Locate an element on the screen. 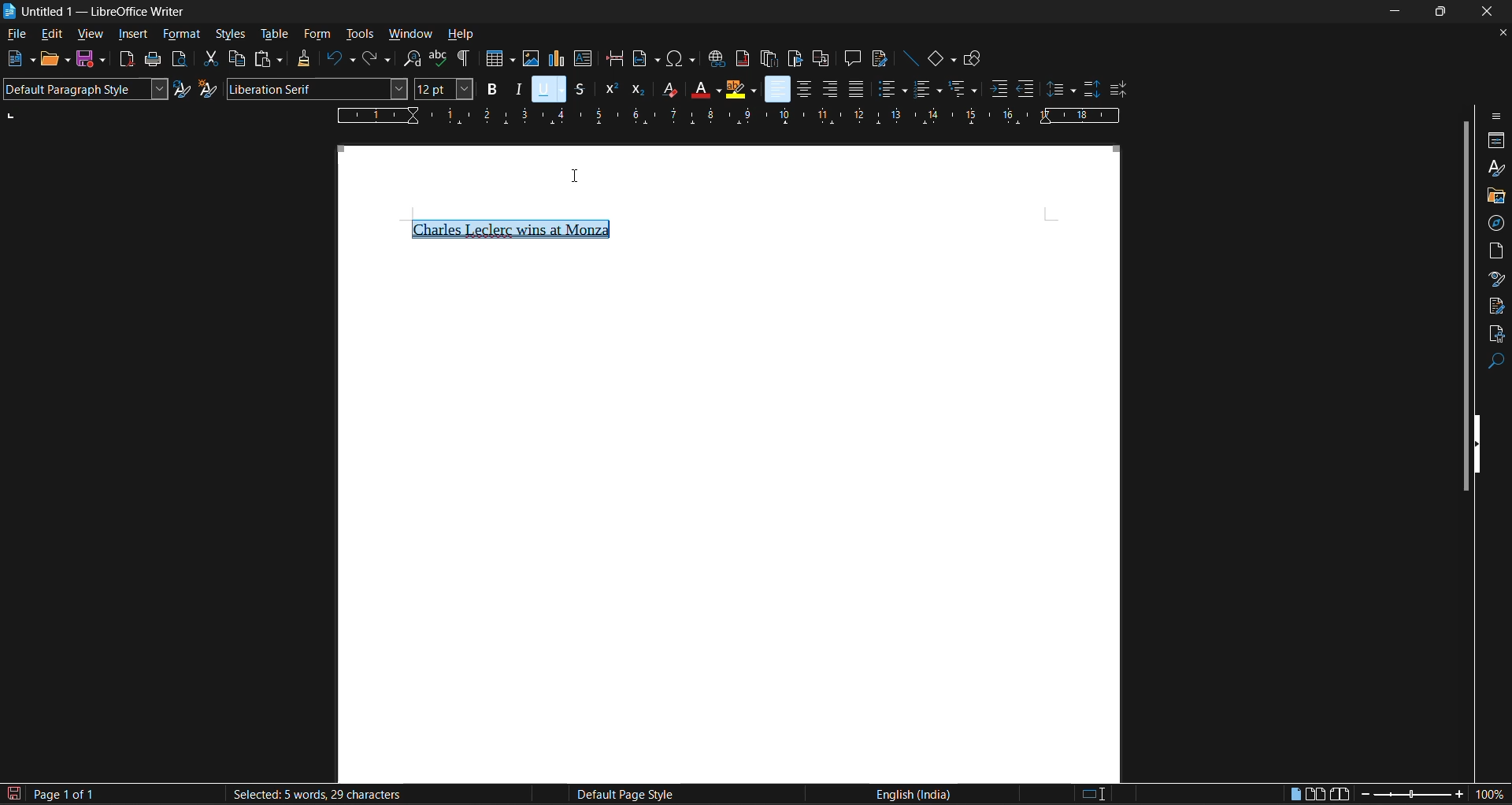 The width and height of the screenshot is (1512, 805). view is located at coordinates (88, 36).